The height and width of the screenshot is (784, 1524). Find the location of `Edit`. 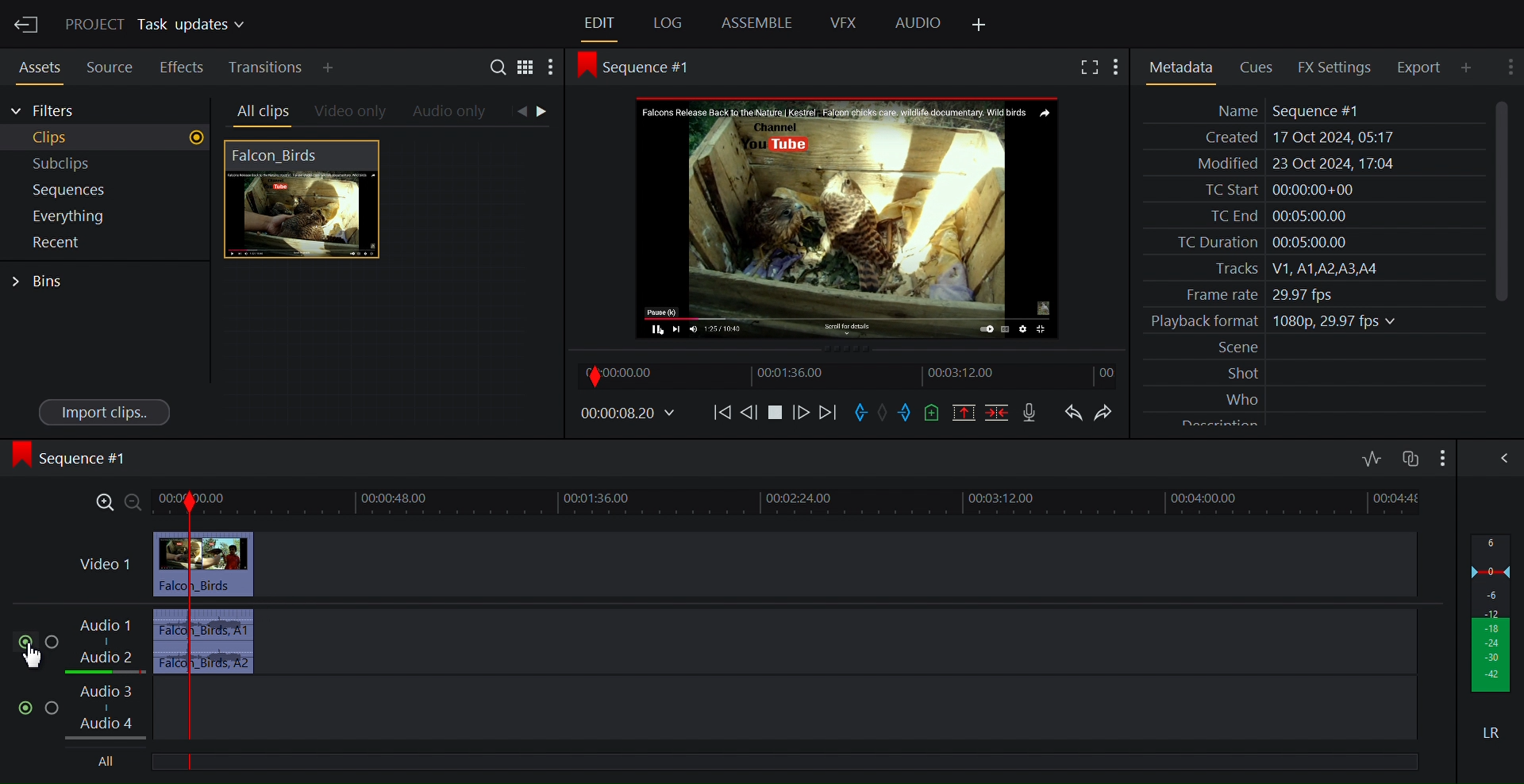

Edit is located at coordinates (601, 24).